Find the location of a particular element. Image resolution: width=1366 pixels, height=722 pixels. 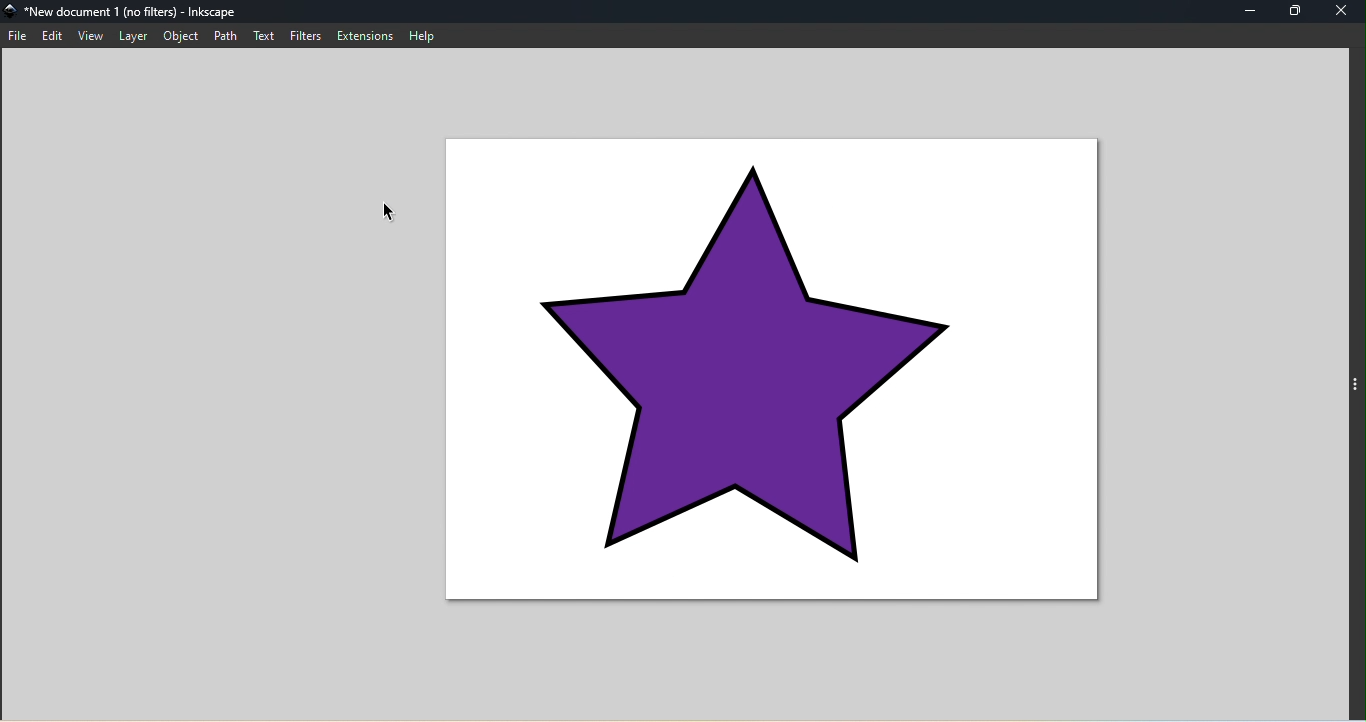

Maximize is located at coordinates (1297, 10).